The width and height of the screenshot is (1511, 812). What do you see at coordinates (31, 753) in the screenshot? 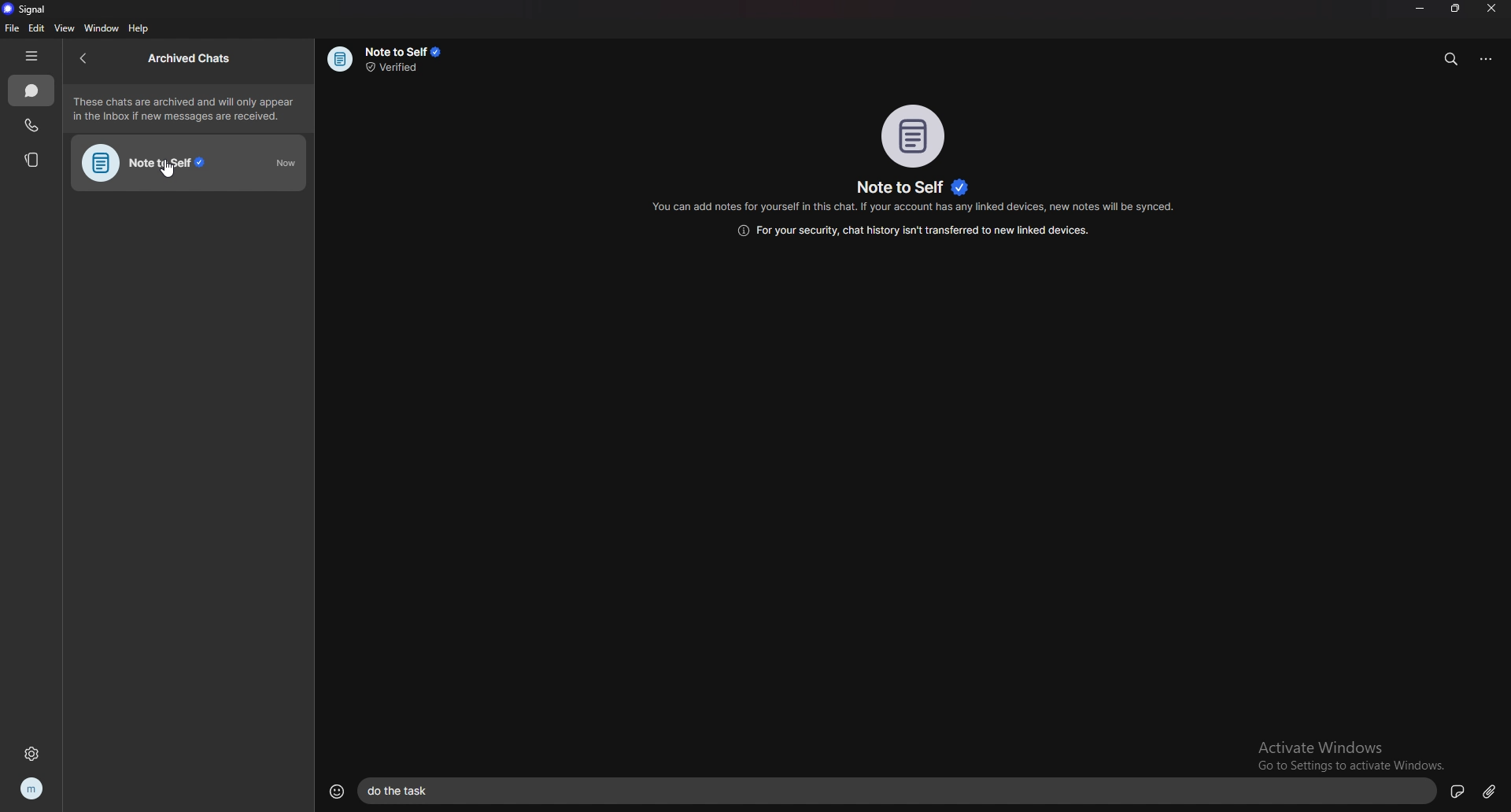
I see `settings` at bounding box center [31, 753].